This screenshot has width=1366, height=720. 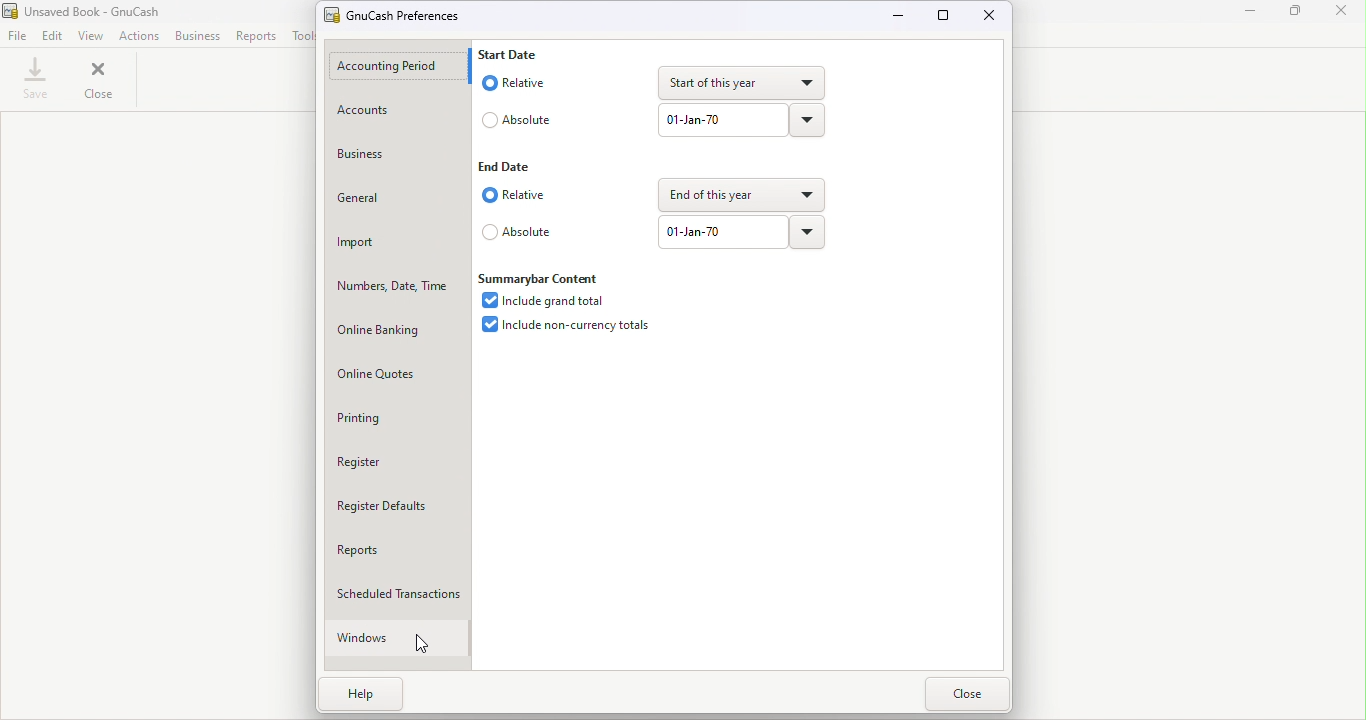 I want to click on Close, so click(x=1341, y=12).